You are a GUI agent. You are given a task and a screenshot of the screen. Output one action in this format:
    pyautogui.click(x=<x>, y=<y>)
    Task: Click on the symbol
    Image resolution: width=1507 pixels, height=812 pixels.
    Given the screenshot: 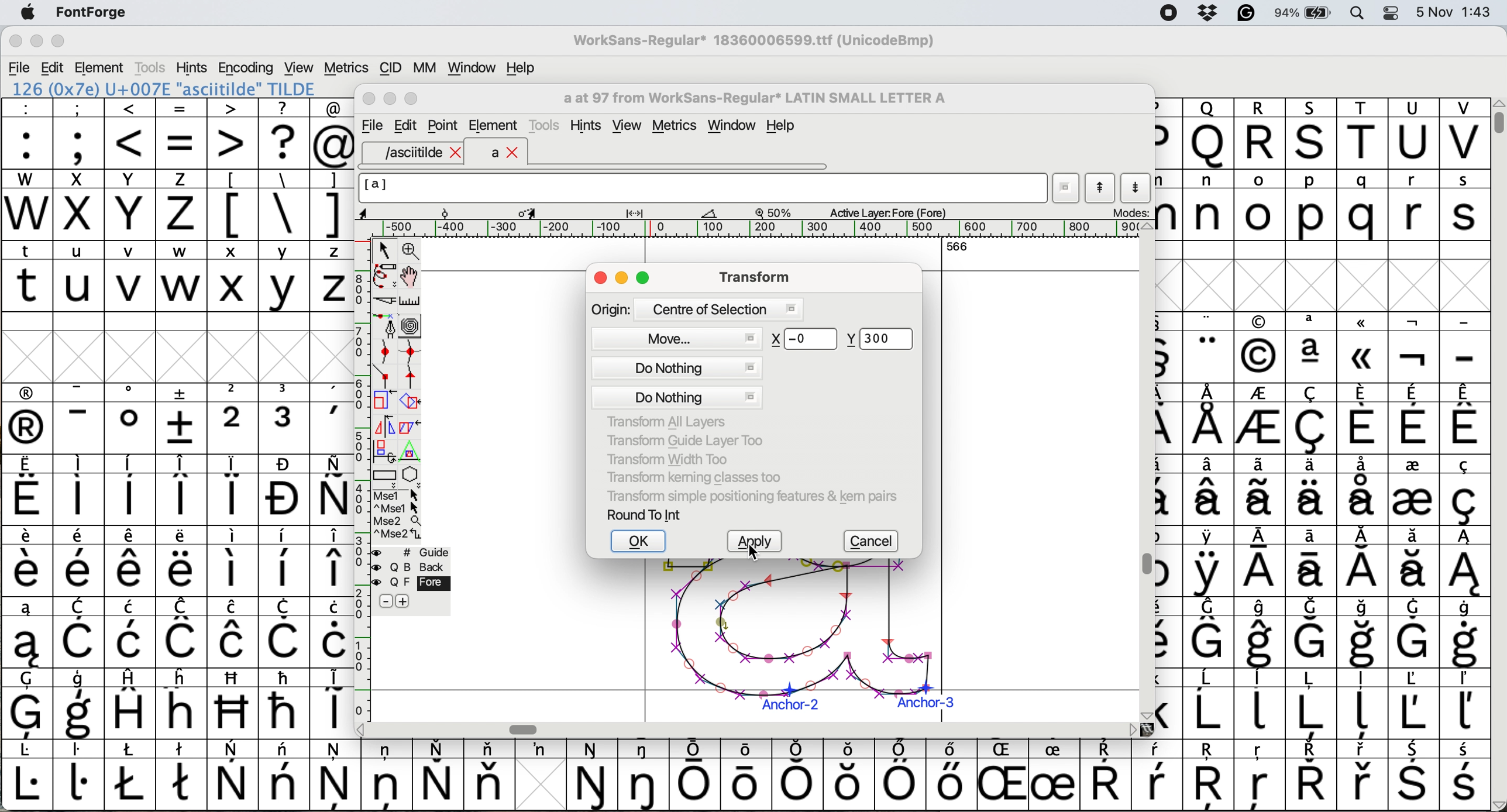 What is the action you would take?
    pyautogui.click(x=1363, y=418)
    